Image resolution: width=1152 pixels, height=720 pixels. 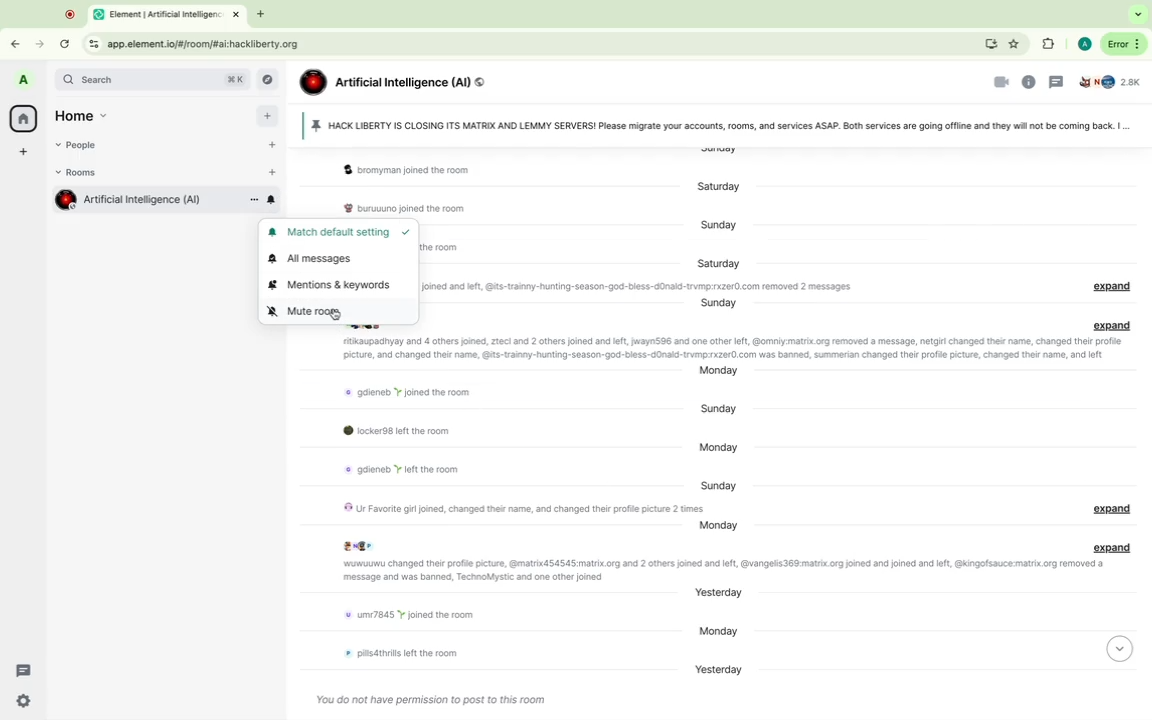 I want to click on Home, so click(x=23, y=118).